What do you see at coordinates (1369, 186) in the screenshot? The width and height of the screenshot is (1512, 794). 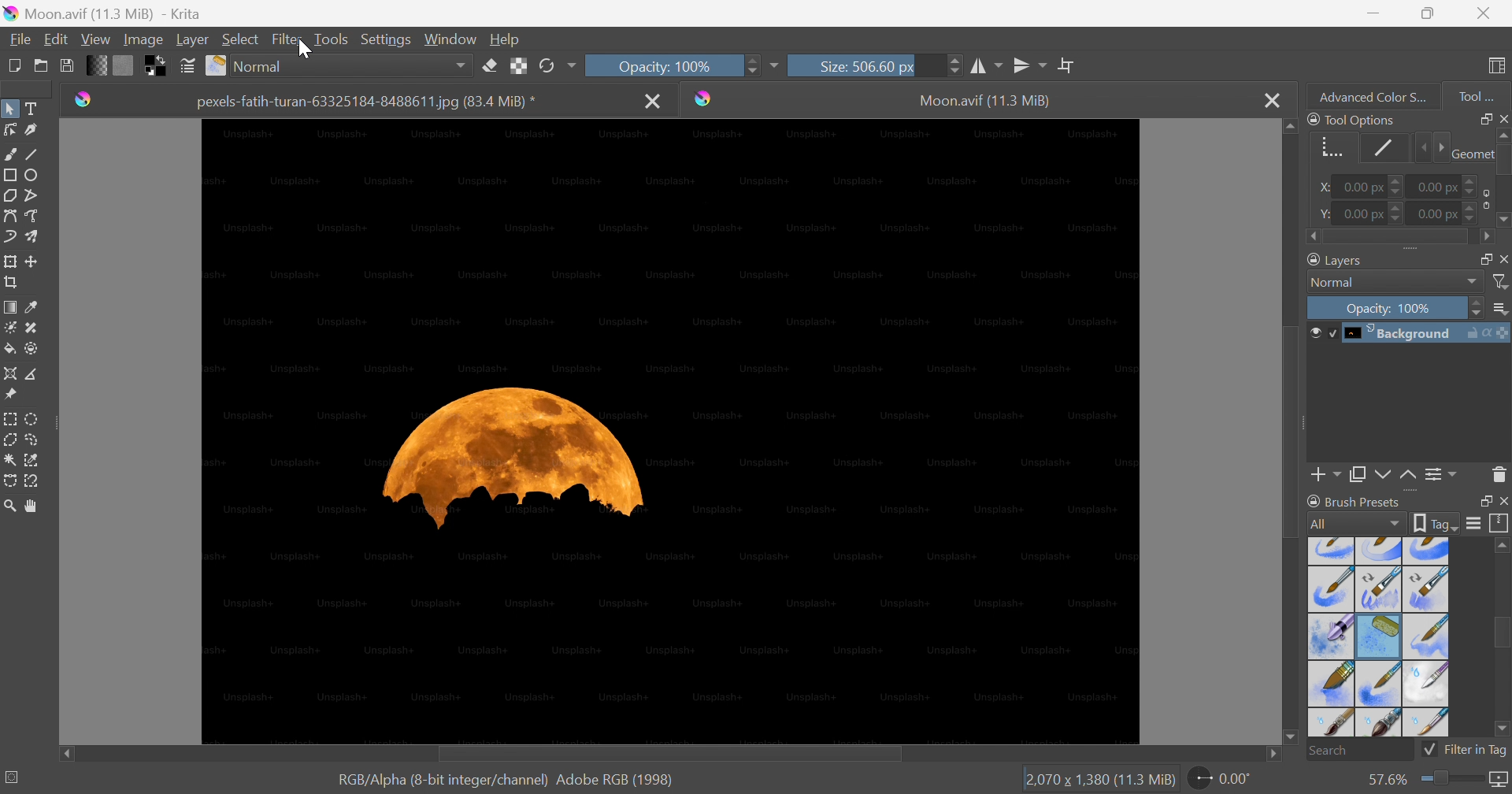 I see `0.00 px` at bounding box center [1369, 186].